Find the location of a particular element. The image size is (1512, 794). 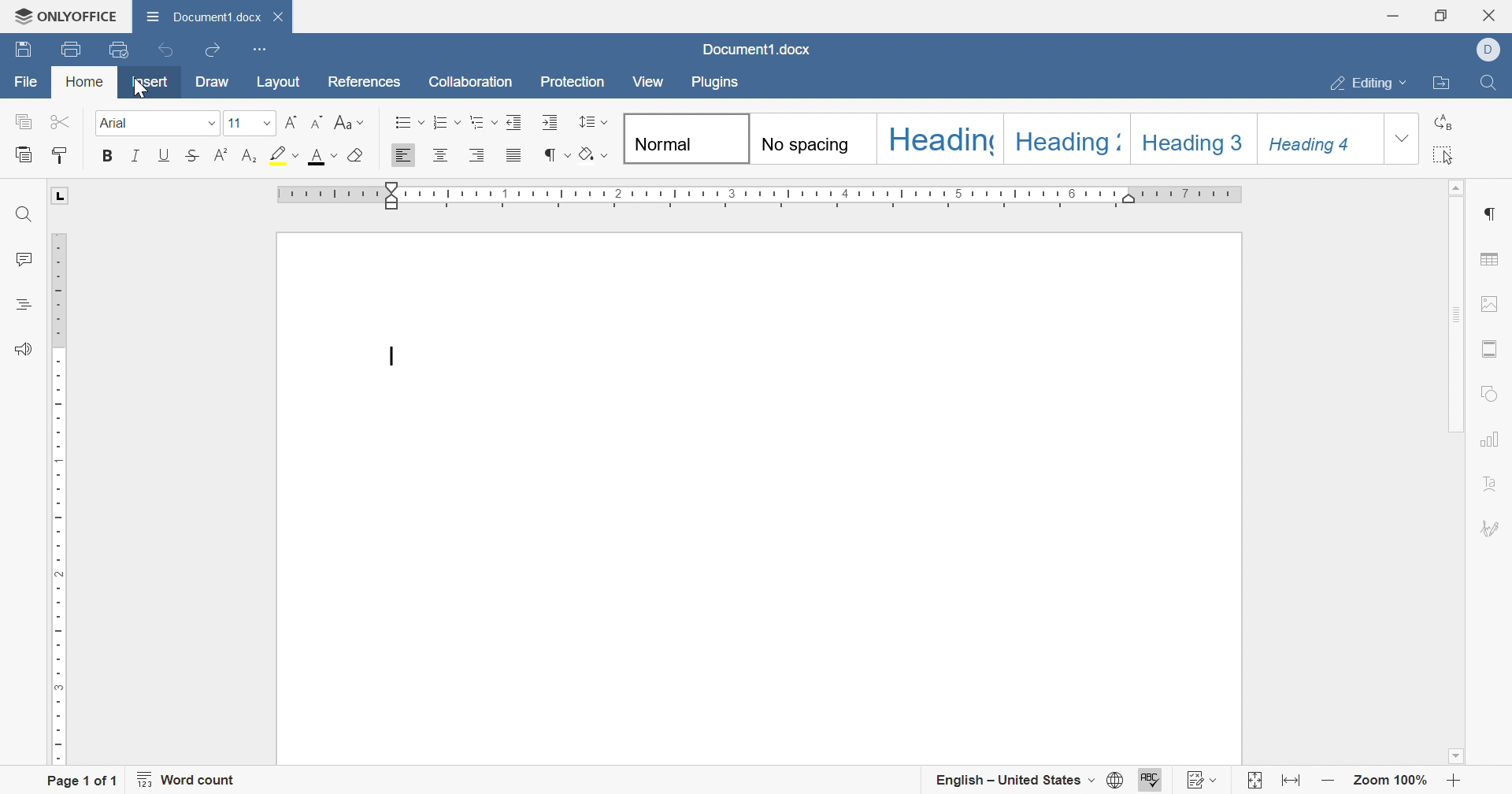

Zoom In is located at coordinates (1455, 779).